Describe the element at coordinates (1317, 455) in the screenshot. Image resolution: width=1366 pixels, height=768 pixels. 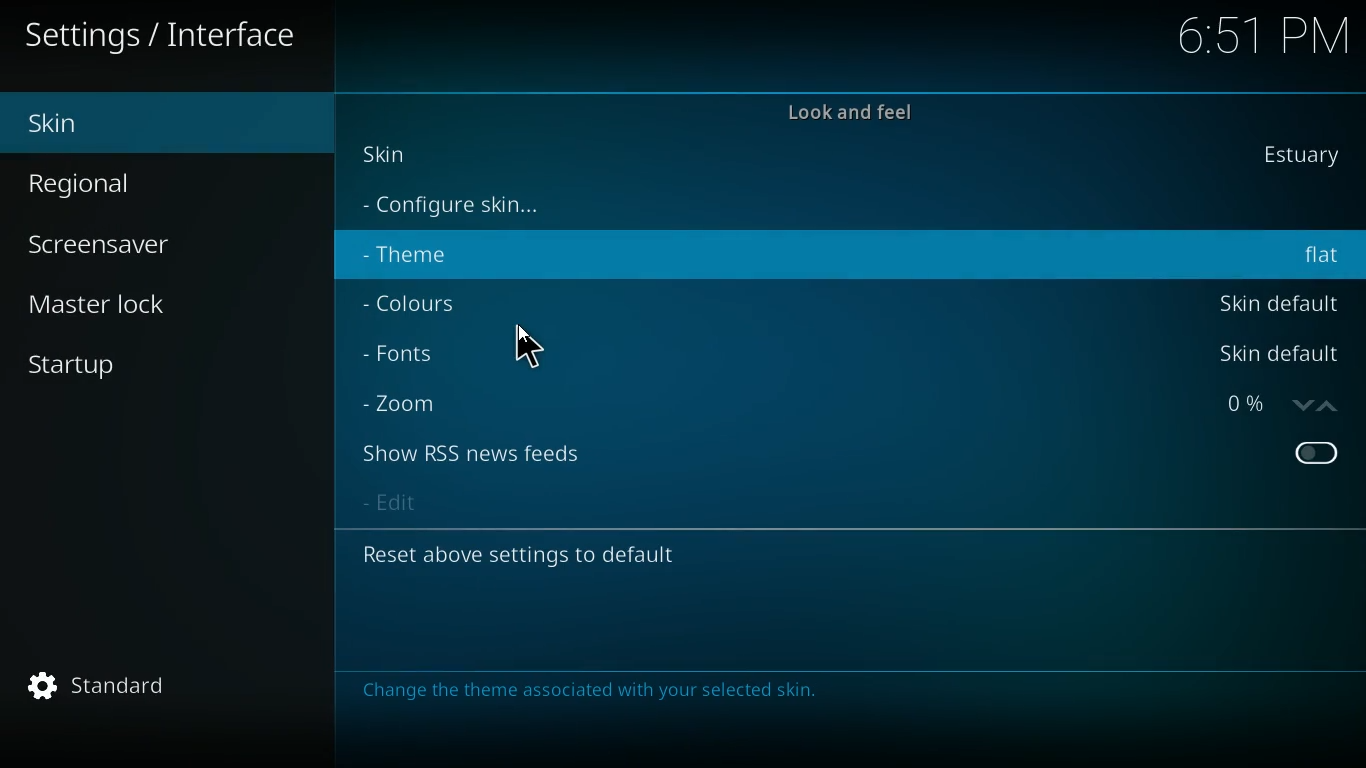
I see `on/off` at that location.